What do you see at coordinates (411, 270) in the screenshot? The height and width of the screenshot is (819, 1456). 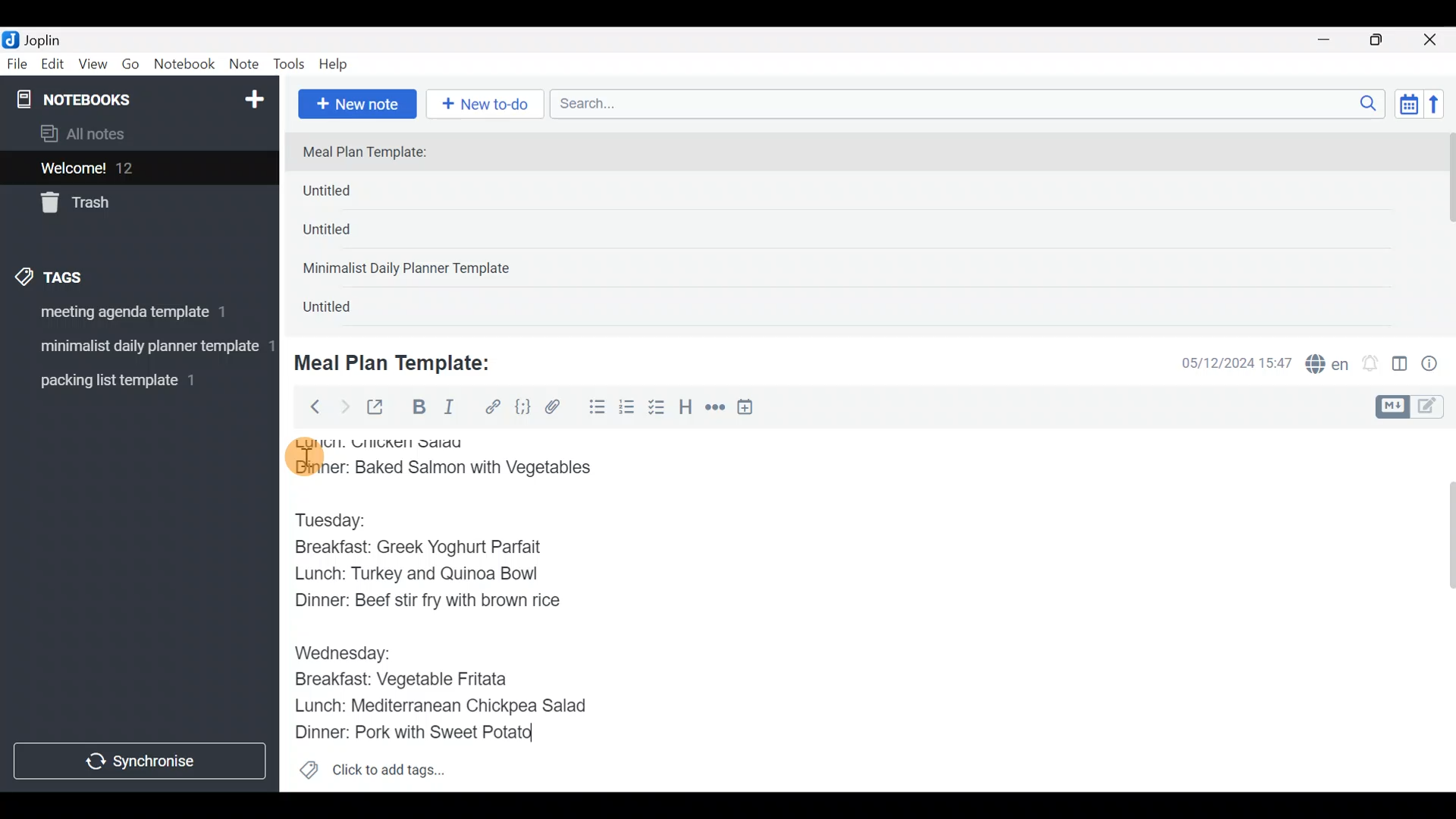 I see `Minimalist Daily Planner Template` at bounding box center [411, 270].